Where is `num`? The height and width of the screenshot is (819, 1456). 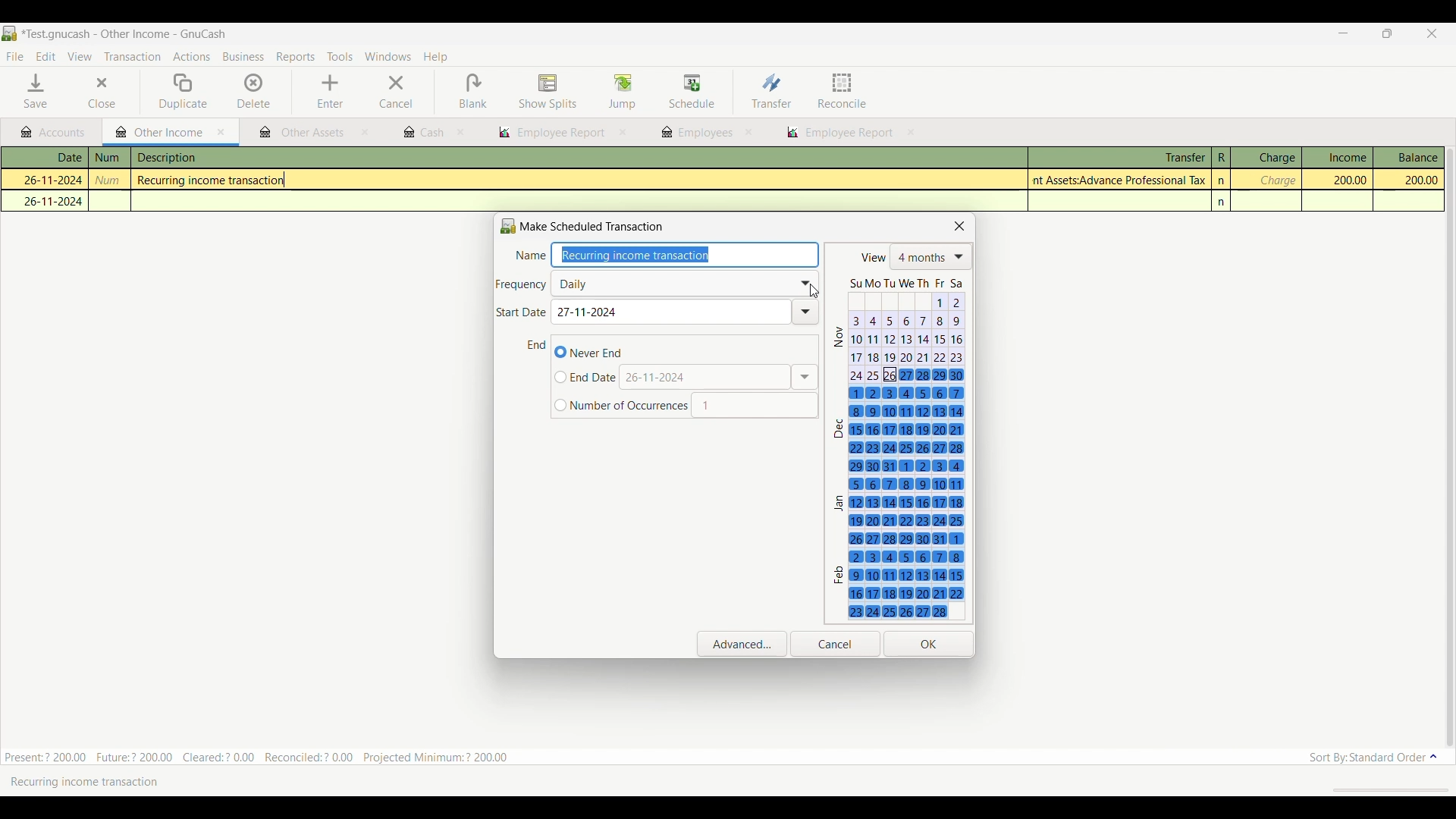
num is located at coordinates (109, 158).